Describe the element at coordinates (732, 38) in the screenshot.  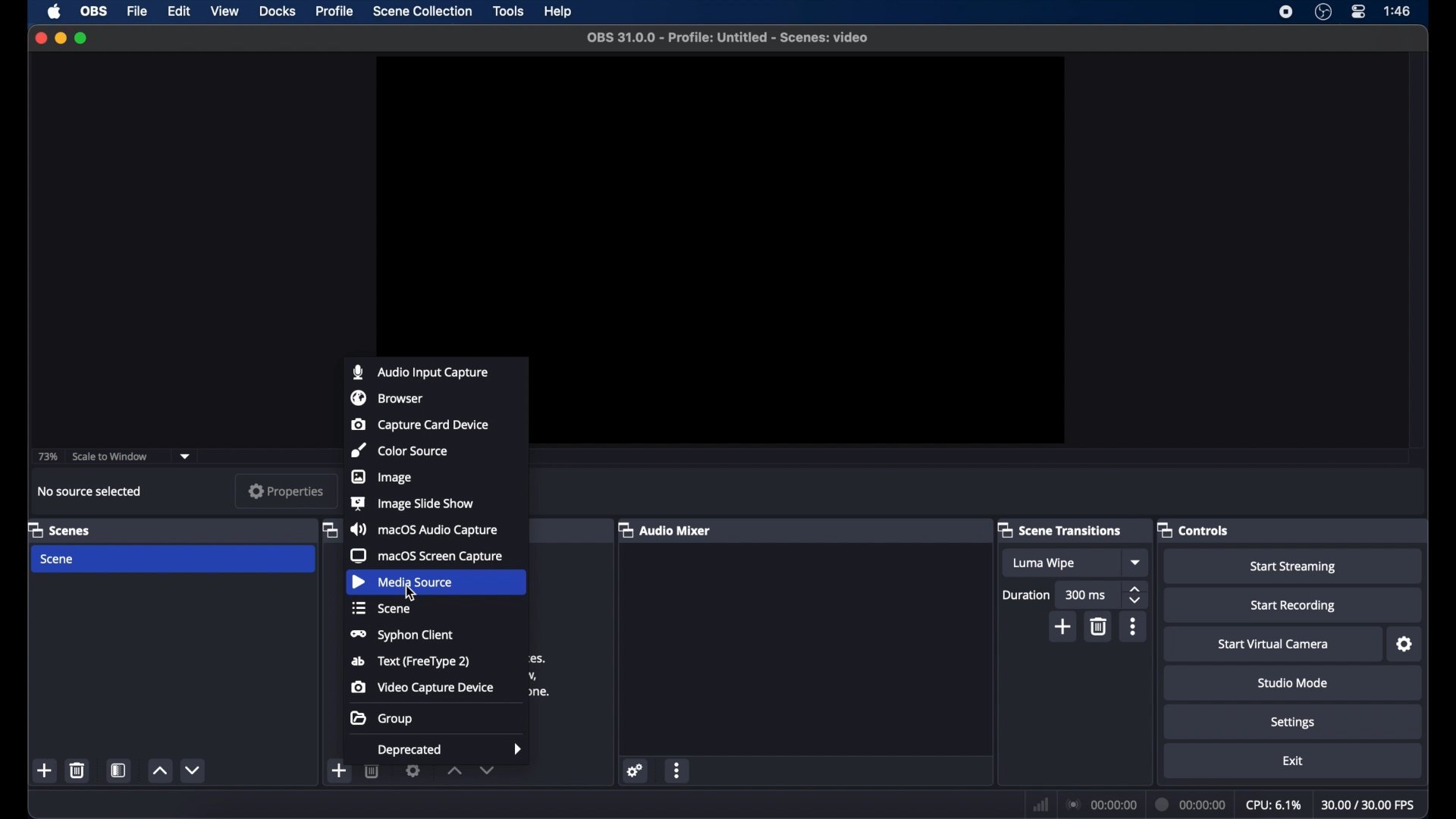
I see `file name` at that location.